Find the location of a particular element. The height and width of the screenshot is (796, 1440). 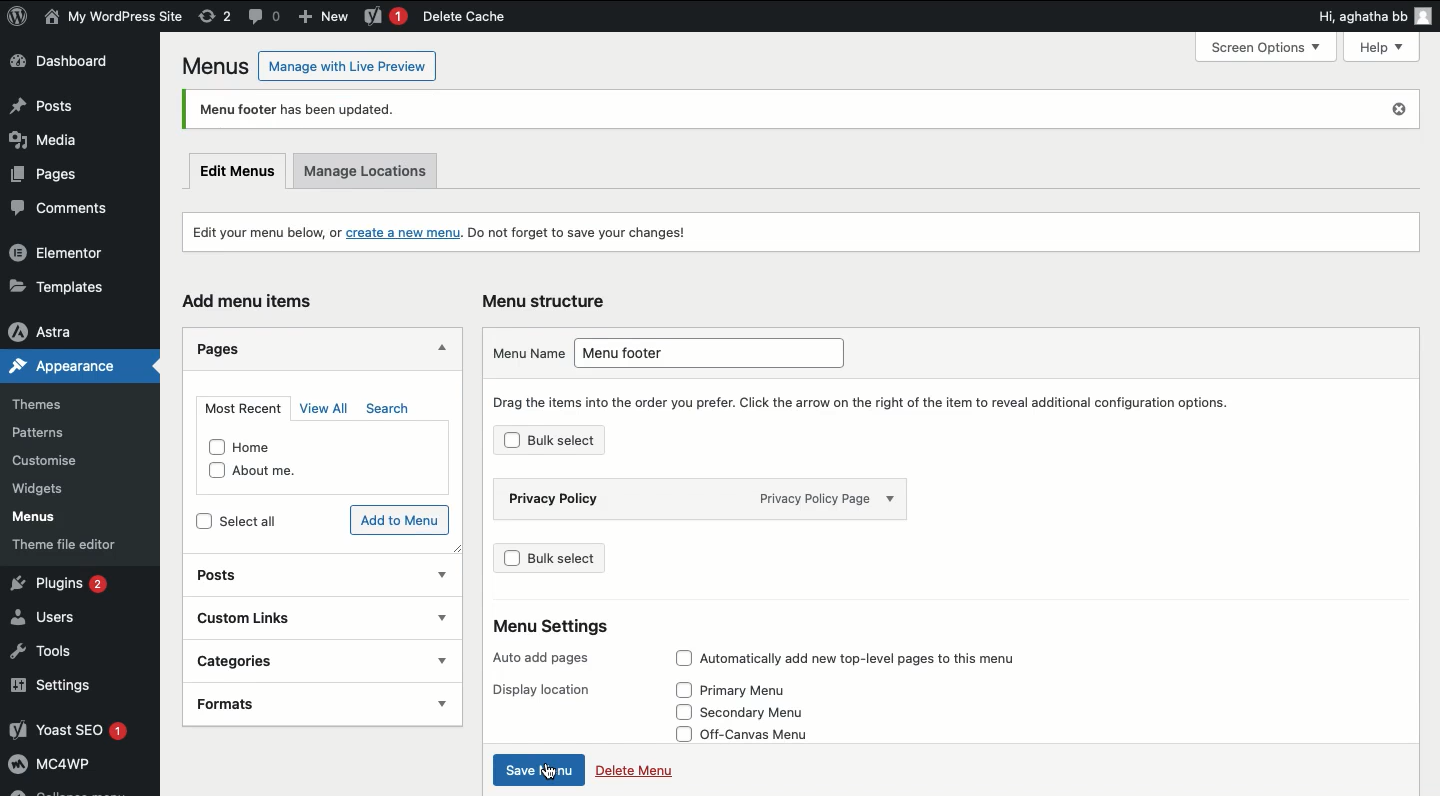

Categories is located at coordinates (299, 661).